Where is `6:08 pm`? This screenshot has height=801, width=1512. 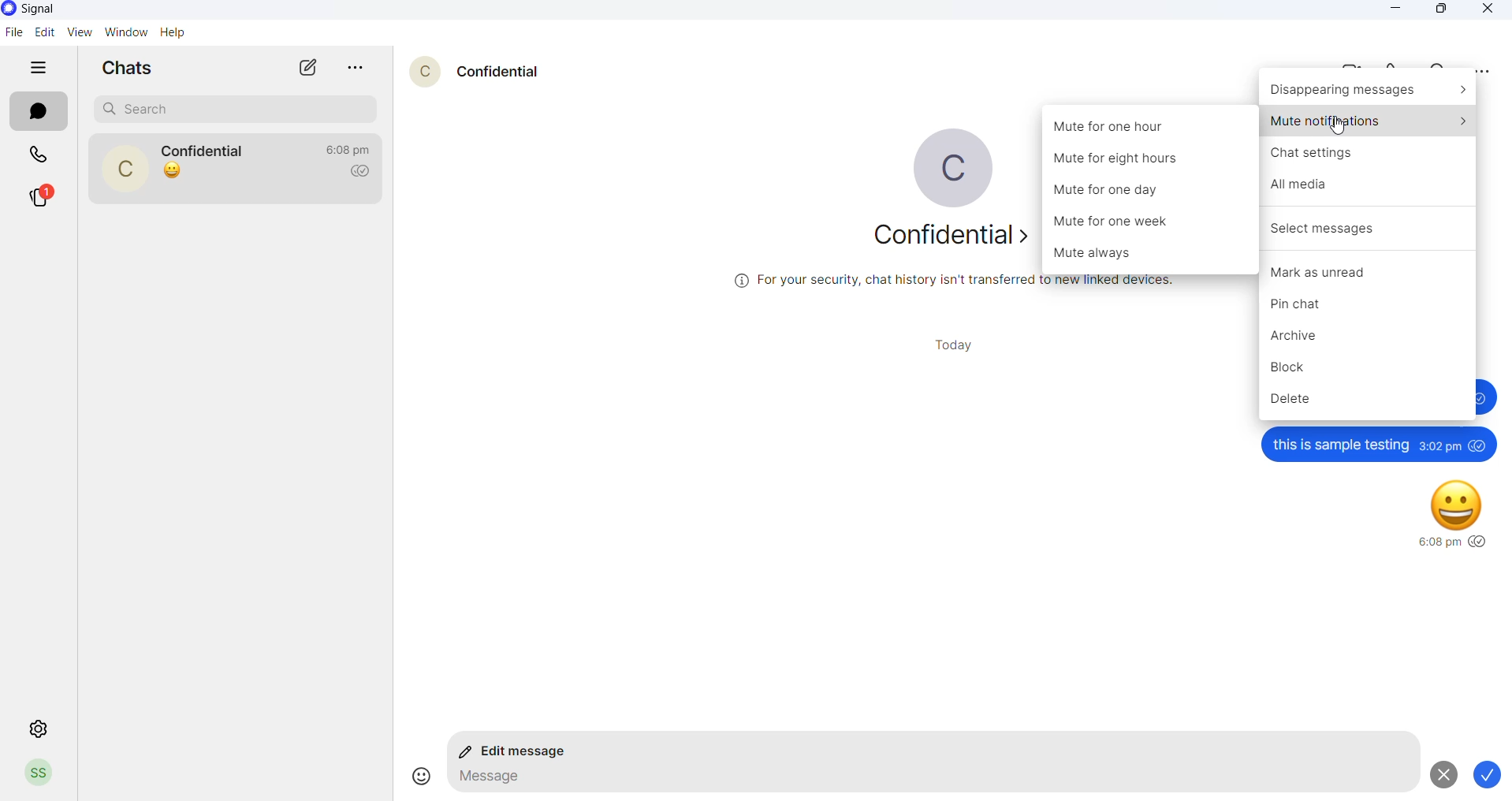 6:08 pm is located at coordinates (1437, 543).